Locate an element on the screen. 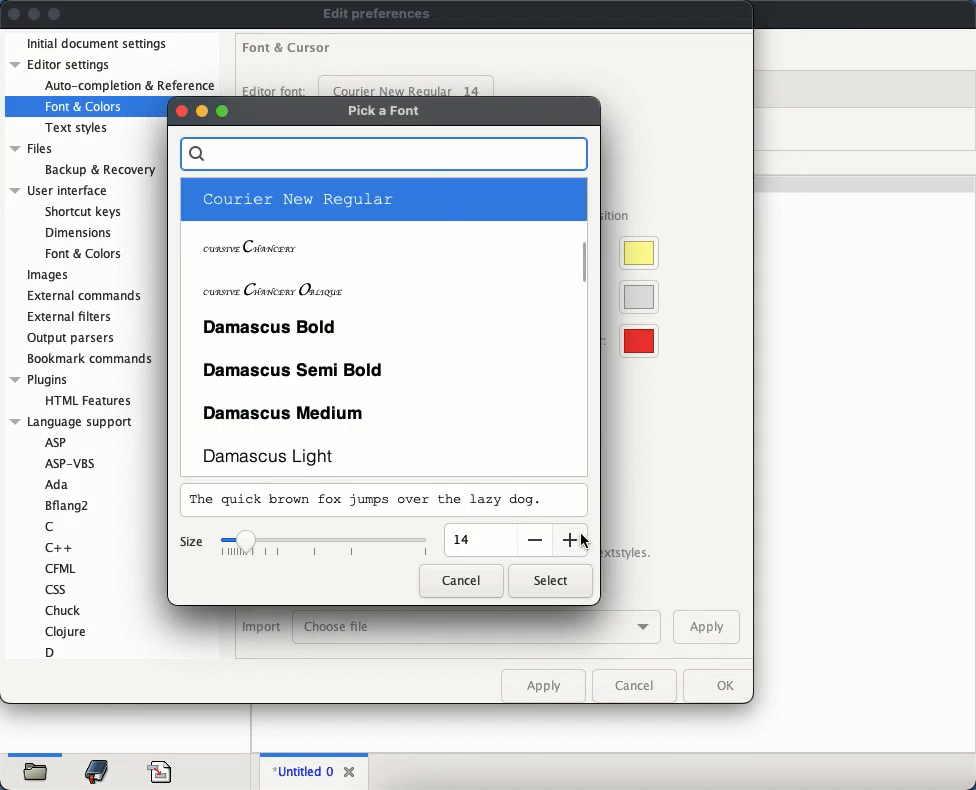  dimensions is located at coordinates (76, 232).